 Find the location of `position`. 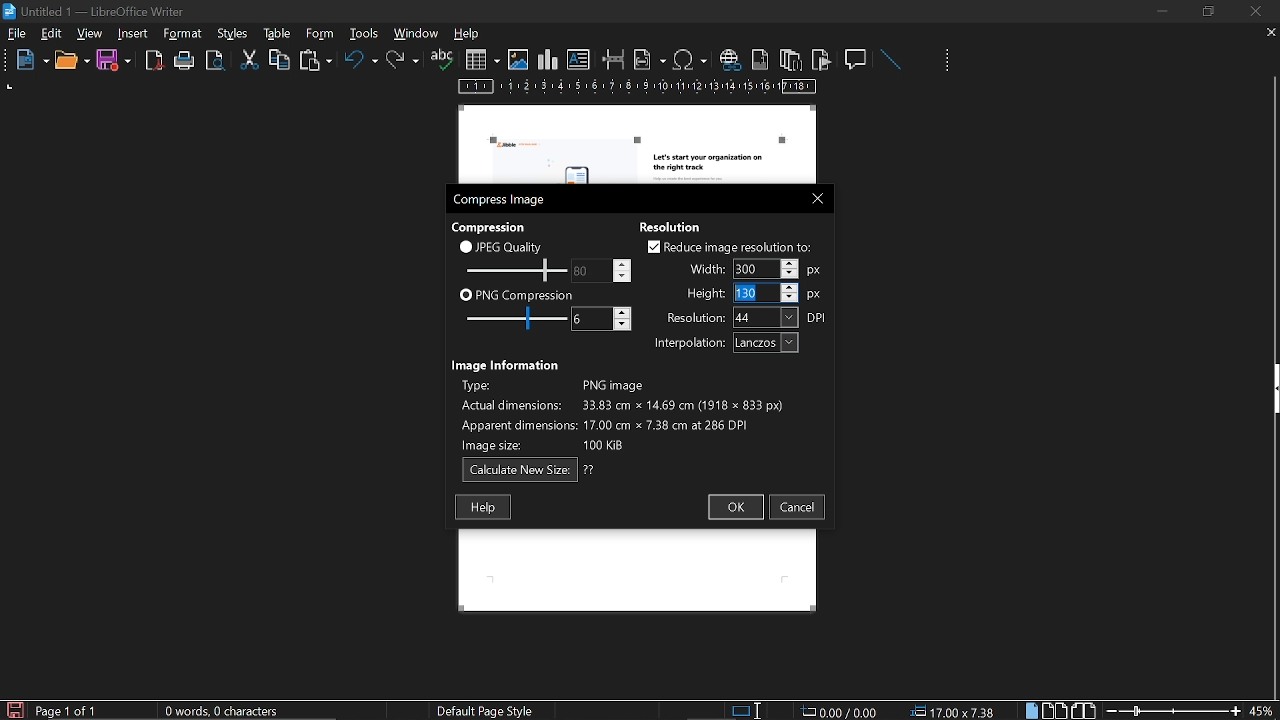

position is located at coordinates (956, 711).